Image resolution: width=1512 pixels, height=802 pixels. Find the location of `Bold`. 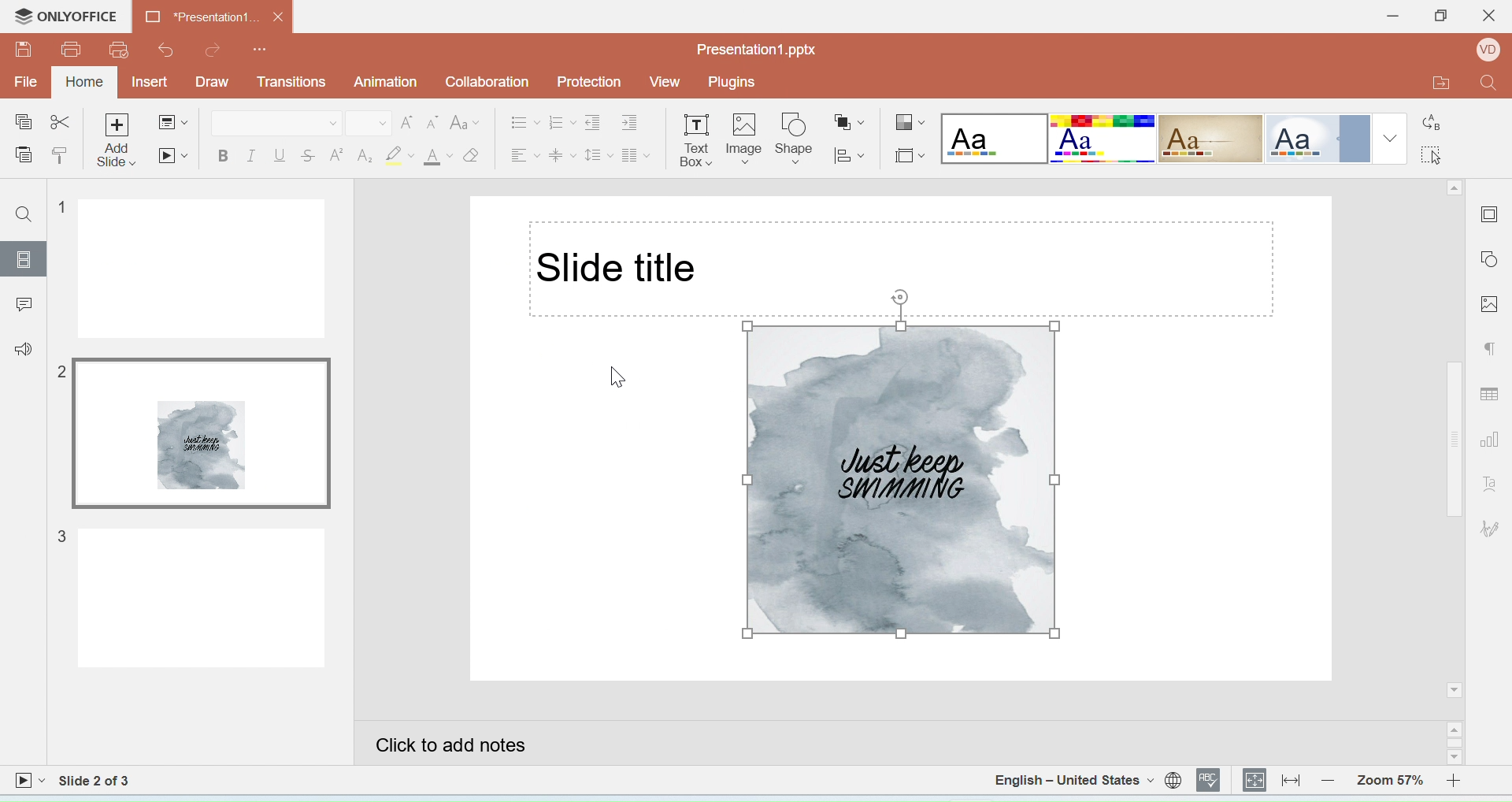

Bold is located at coordinates (223, 158).